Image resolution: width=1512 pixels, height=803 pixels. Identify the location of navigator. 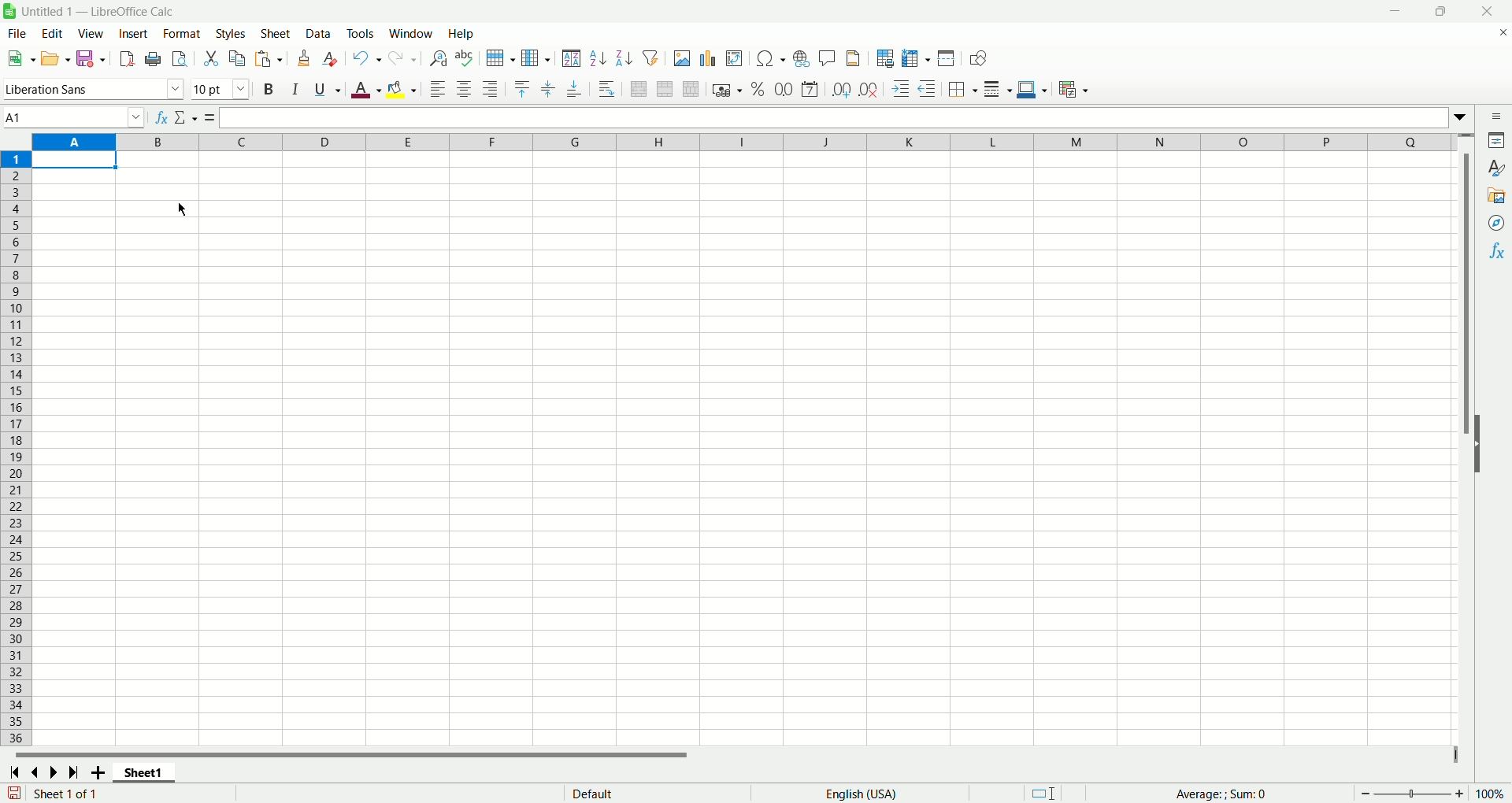
(1497, 223).